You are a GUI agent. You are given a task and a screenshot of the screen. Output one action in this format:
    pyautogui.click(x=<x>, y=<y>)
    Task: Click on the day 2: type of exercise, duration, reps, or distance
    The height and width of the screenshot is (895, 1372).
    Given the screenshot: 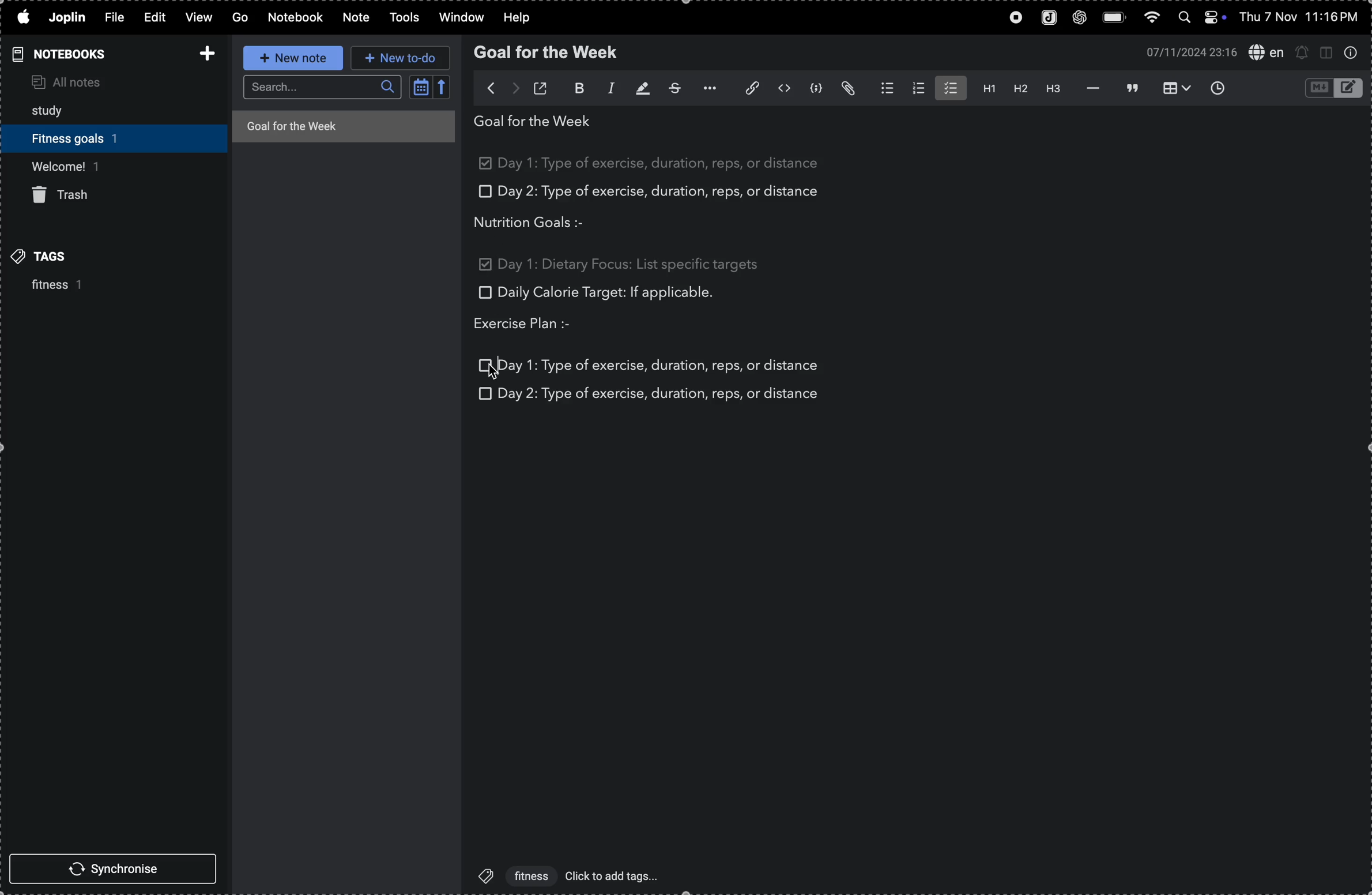 What is the action you would take?
    pyautogui.click(x=661, y=394)
    